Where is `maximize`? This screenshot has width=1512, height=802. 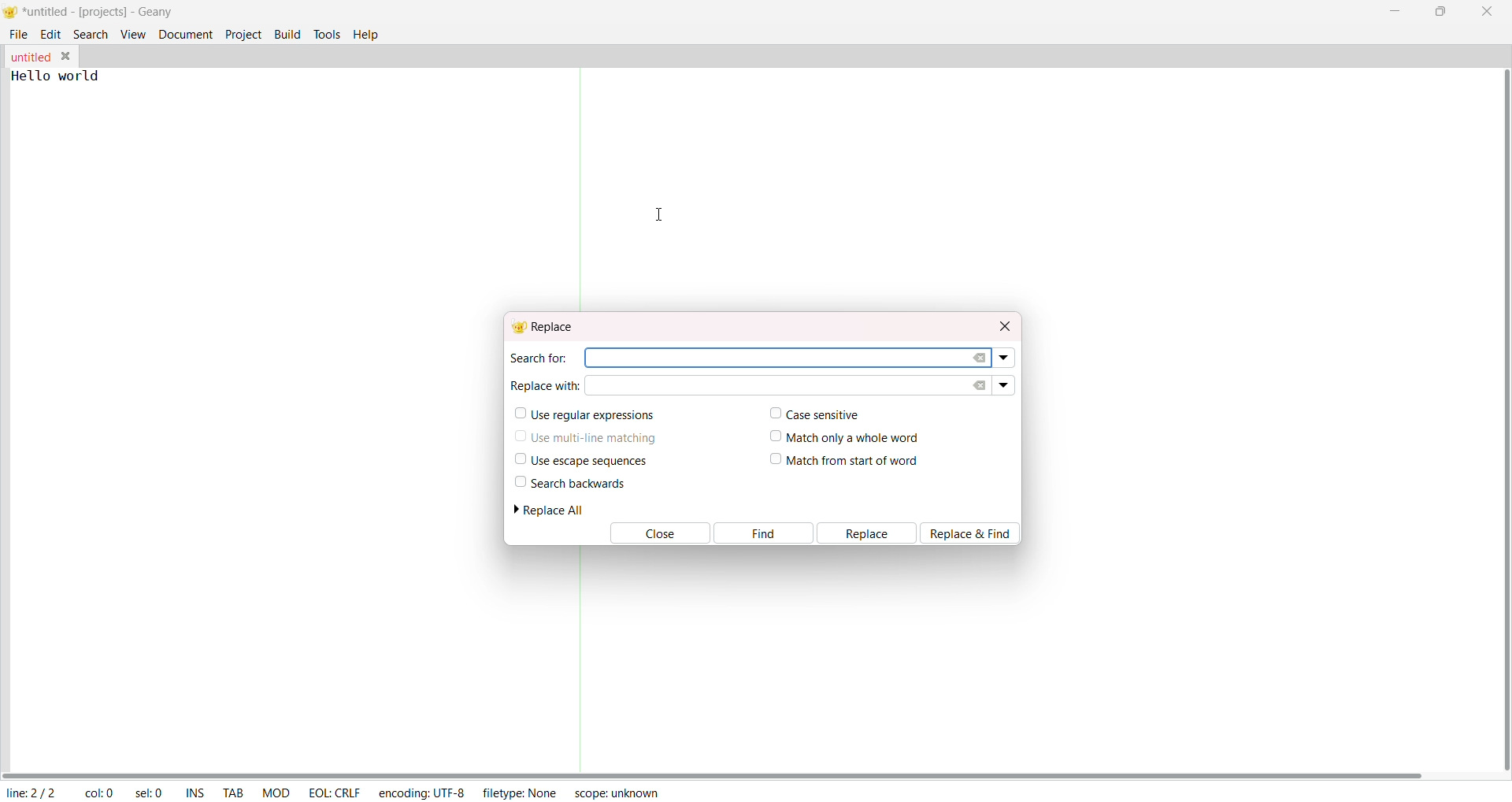 maximize is located at coordinates (1439, 10).